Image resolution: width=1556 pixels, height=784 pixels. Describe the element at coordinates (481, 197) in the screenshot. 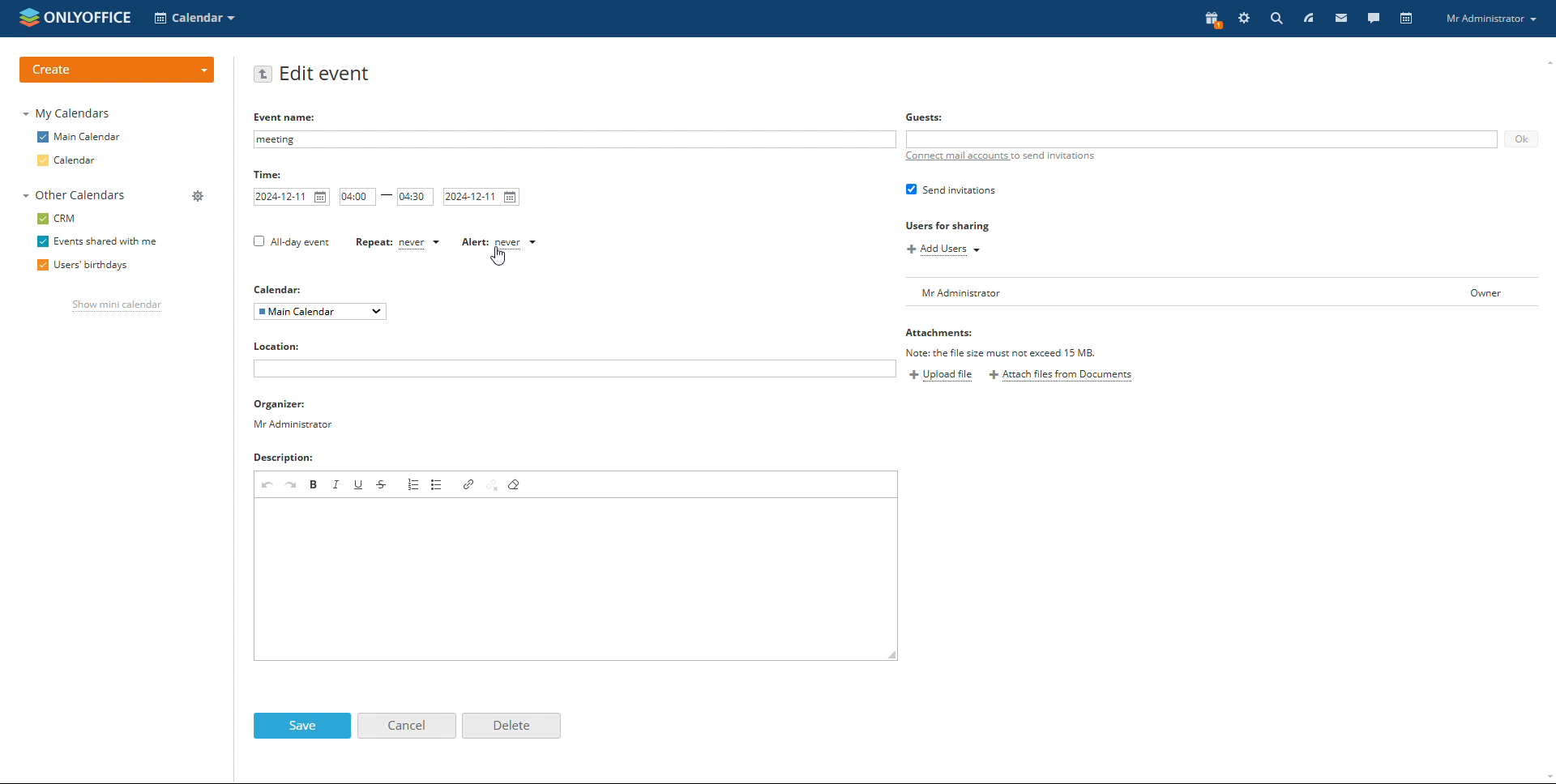

I see `end date` at that location.